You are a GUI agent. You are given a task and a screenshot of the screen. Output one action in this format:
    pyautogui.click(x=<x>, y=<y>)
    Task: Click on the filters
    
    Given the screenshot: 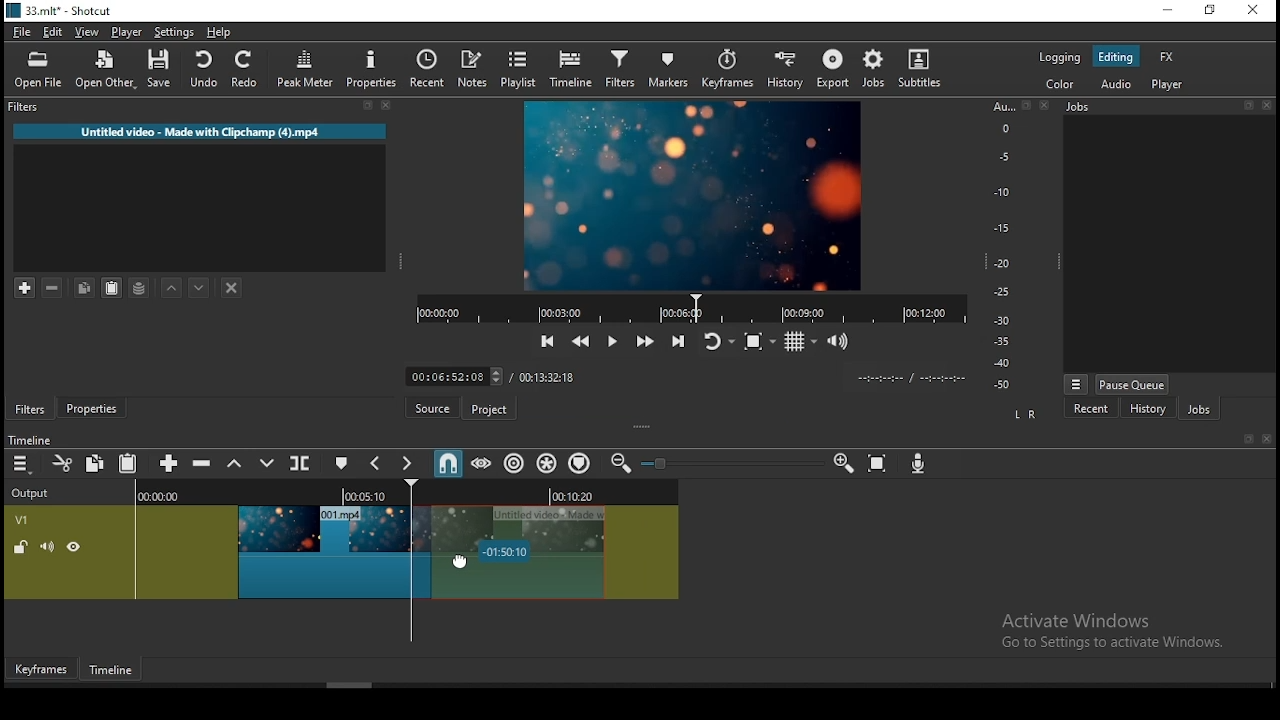 What is the action you would take?
    pyautogui.click(x=618, y=70)
    